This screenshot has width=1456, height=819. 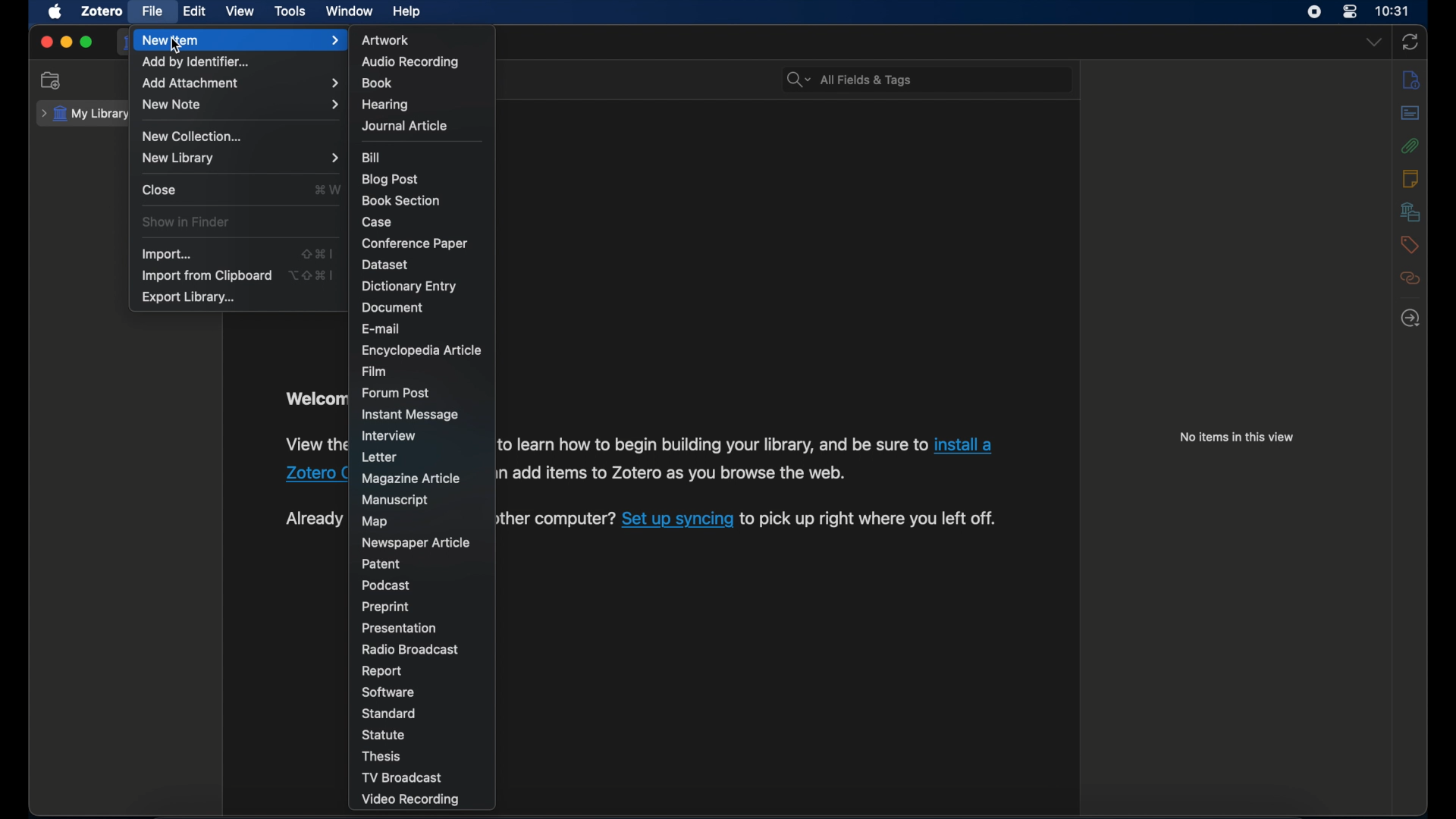 What do you see at coordinates (1410, 212) in the screenshot?
I see `libraries` at bounding box center [1410, 212].